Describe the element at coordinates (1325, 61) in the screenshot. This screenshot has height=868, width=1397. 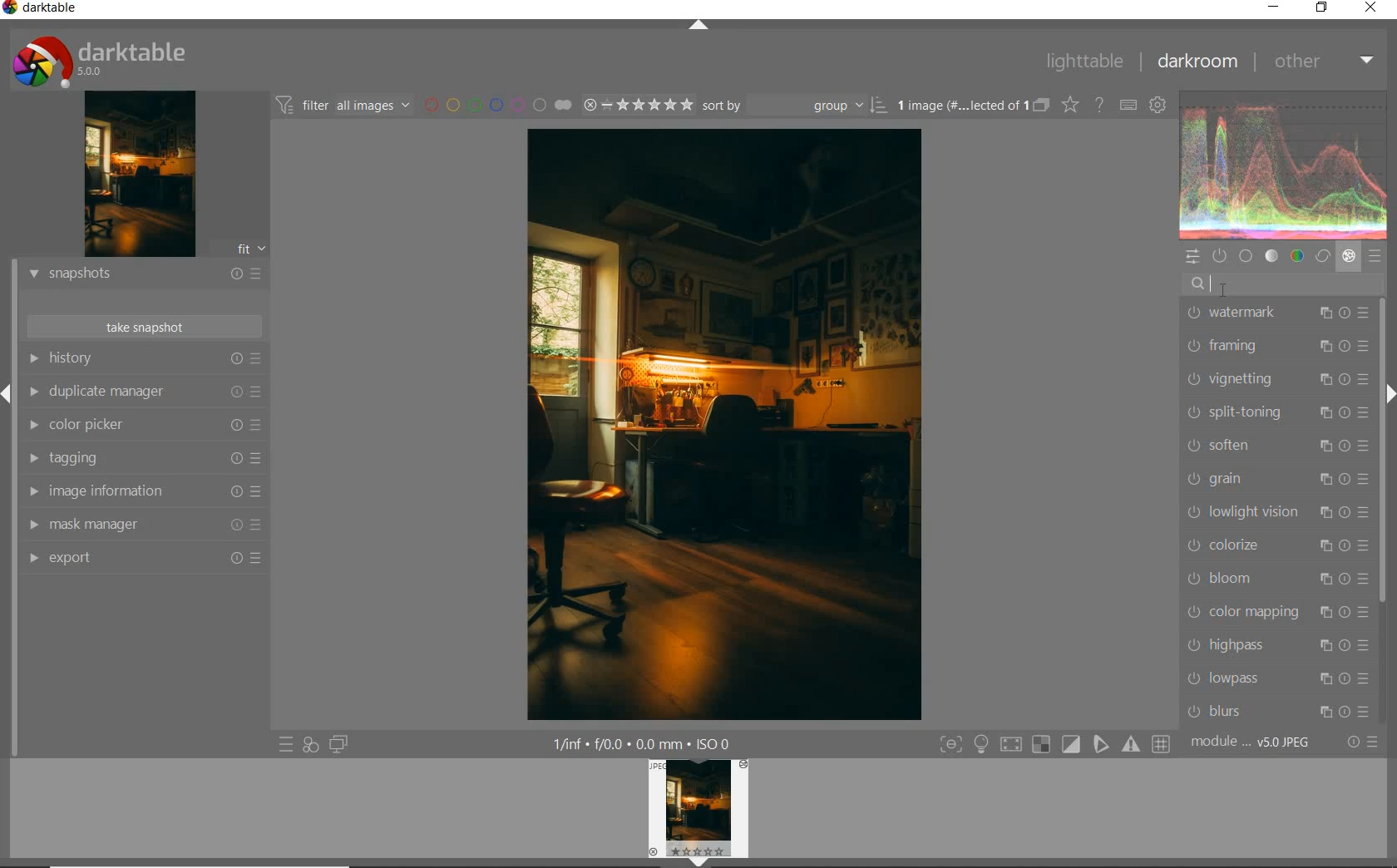
I see `other` at that location.